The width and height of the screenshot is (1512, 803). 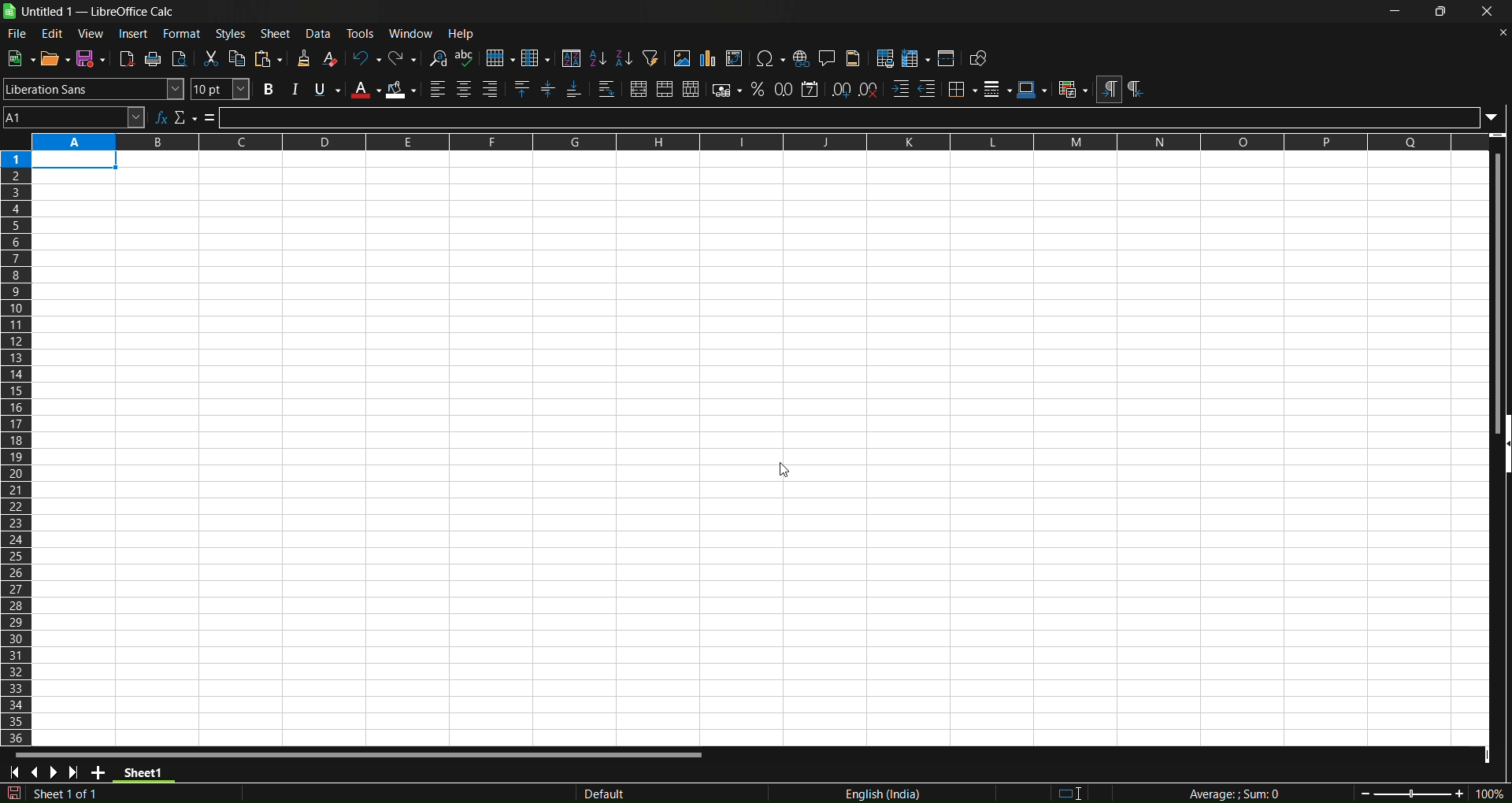 I want to click on columns, so click(x=17, y=444).